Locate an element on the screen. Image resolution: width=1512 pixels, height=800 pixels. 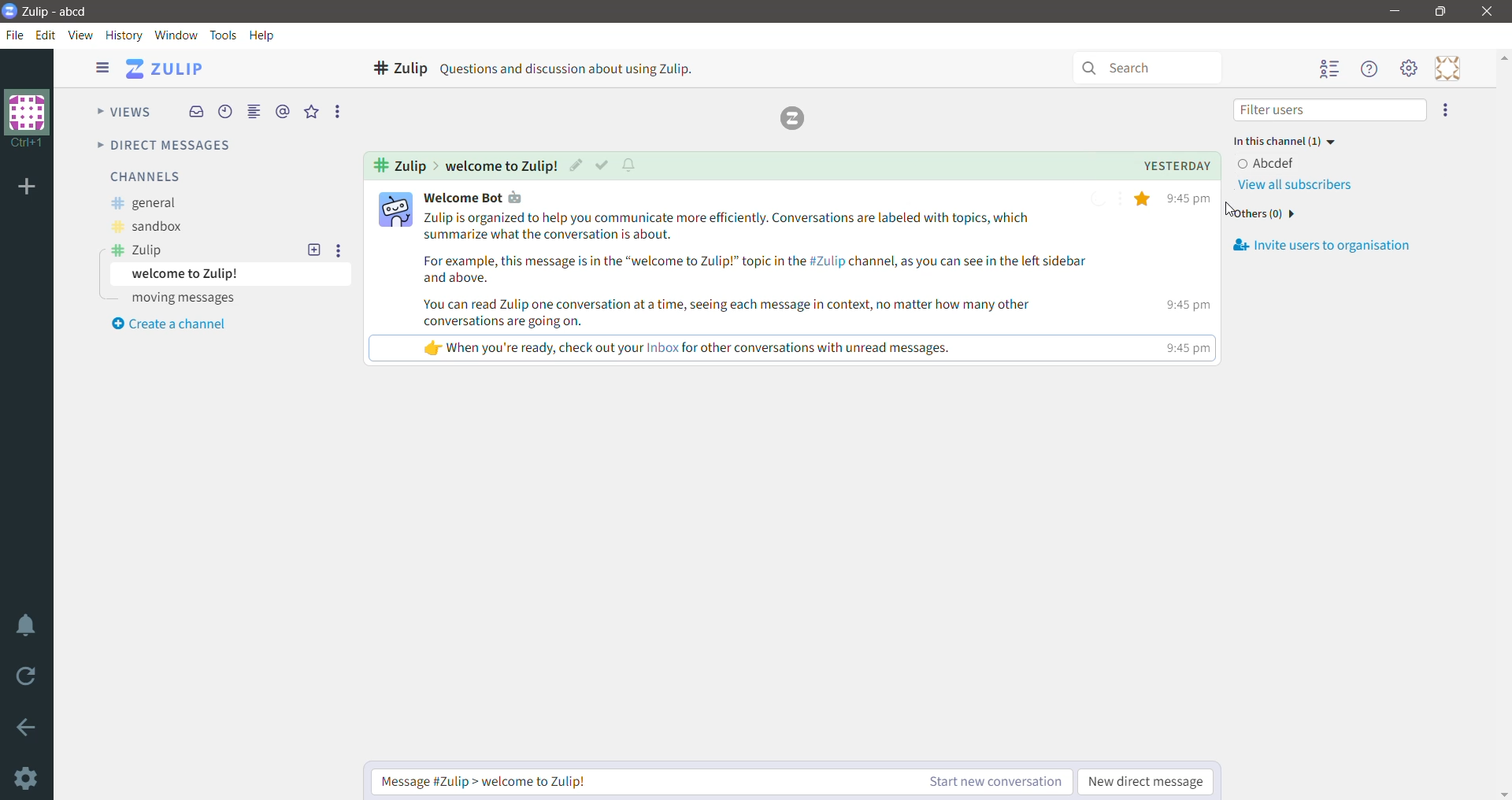
Organization Name is located at coordinates (28, 120).